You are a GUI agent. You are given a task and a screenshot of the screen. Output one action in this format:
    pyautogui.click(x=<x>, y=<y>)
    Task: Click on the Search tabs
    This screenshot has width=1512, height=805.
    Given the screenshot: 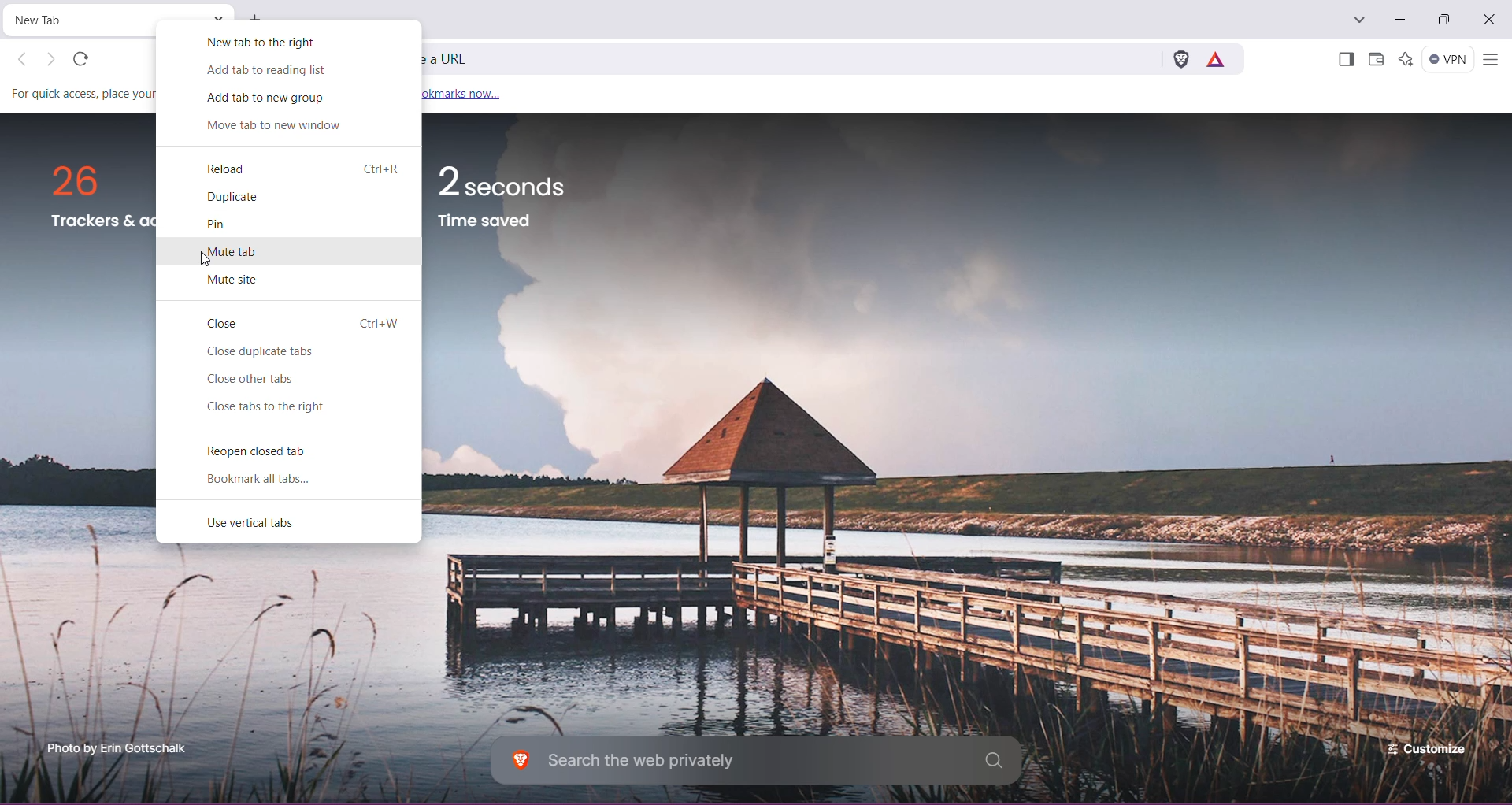 What is the action you would take?
    pyautogui.click(x=1360, y=20)
    